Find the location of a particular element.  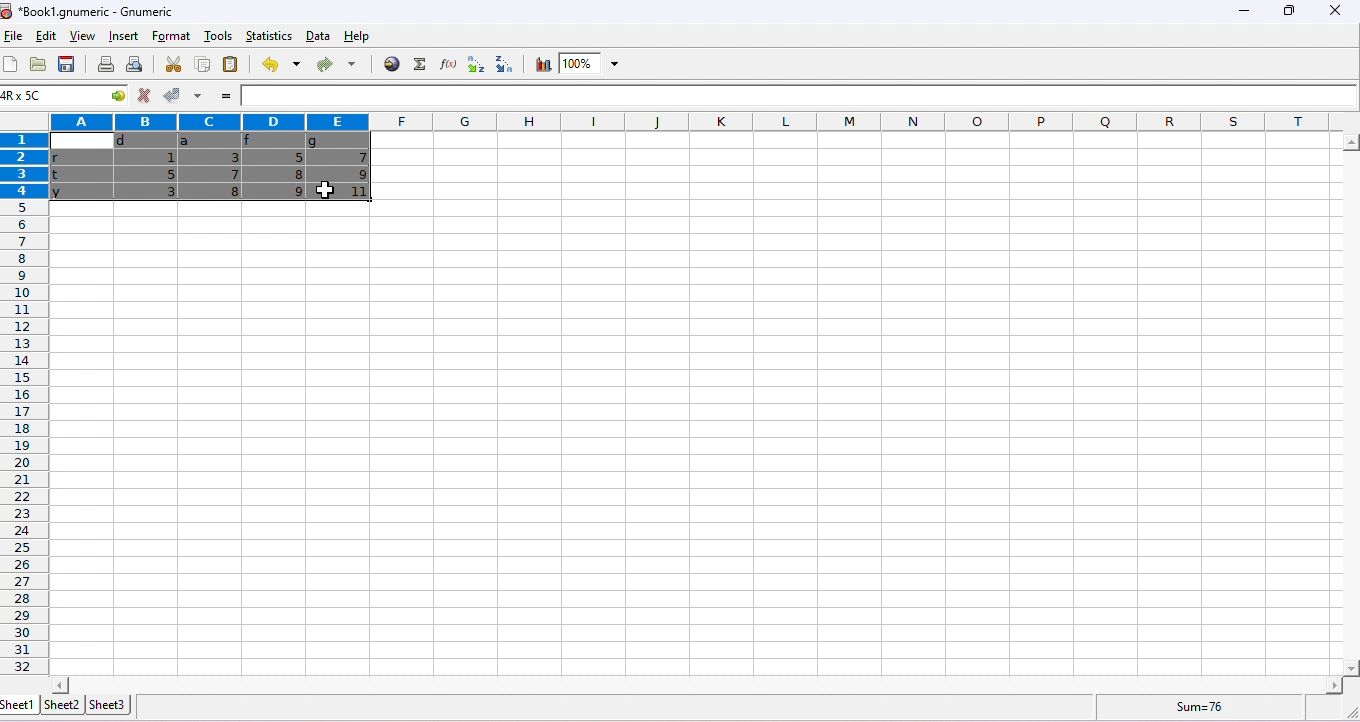

reject is located at coordinates (143, 96).